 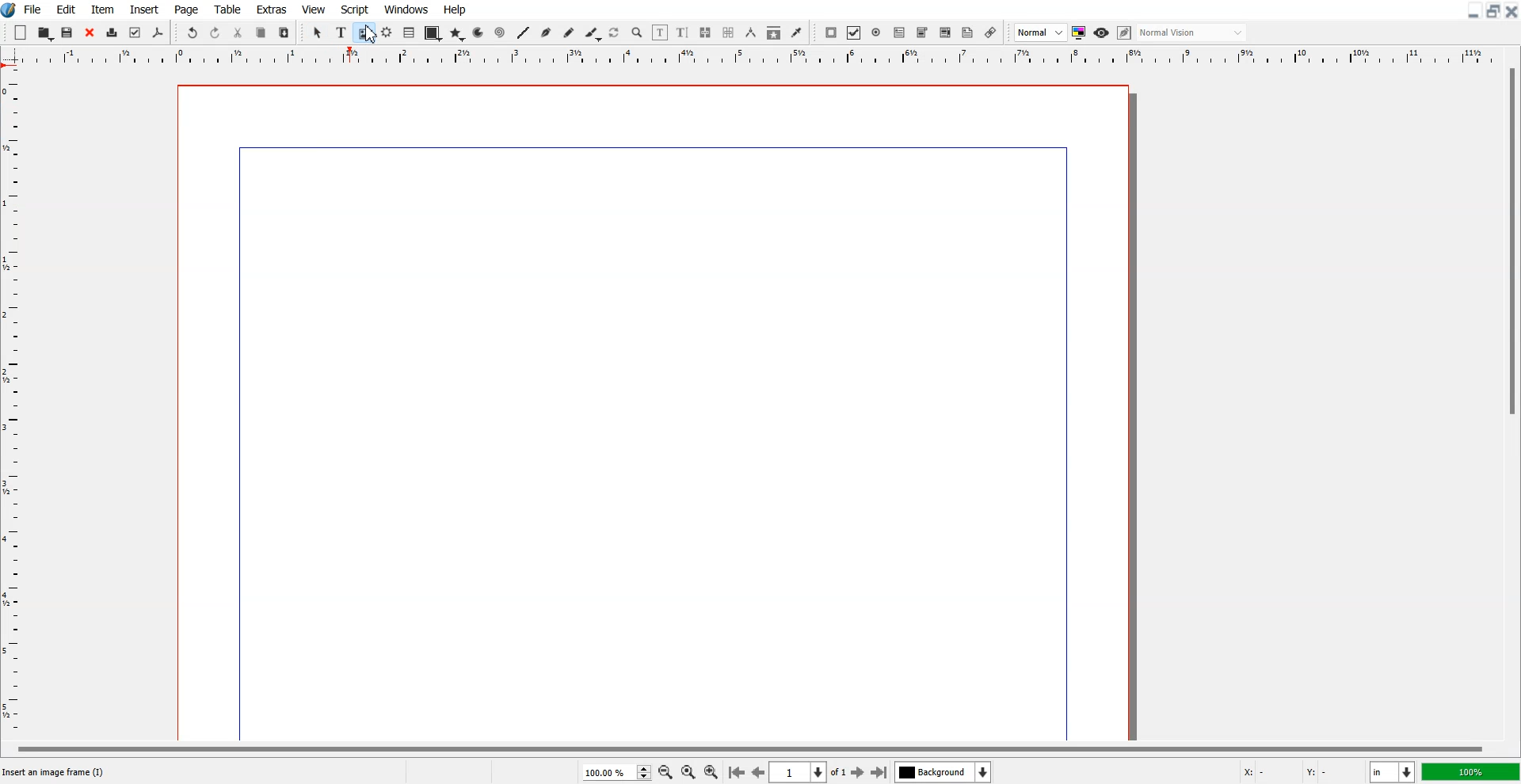 I want to click on Go to Previous page, so click(x=757, y=772).